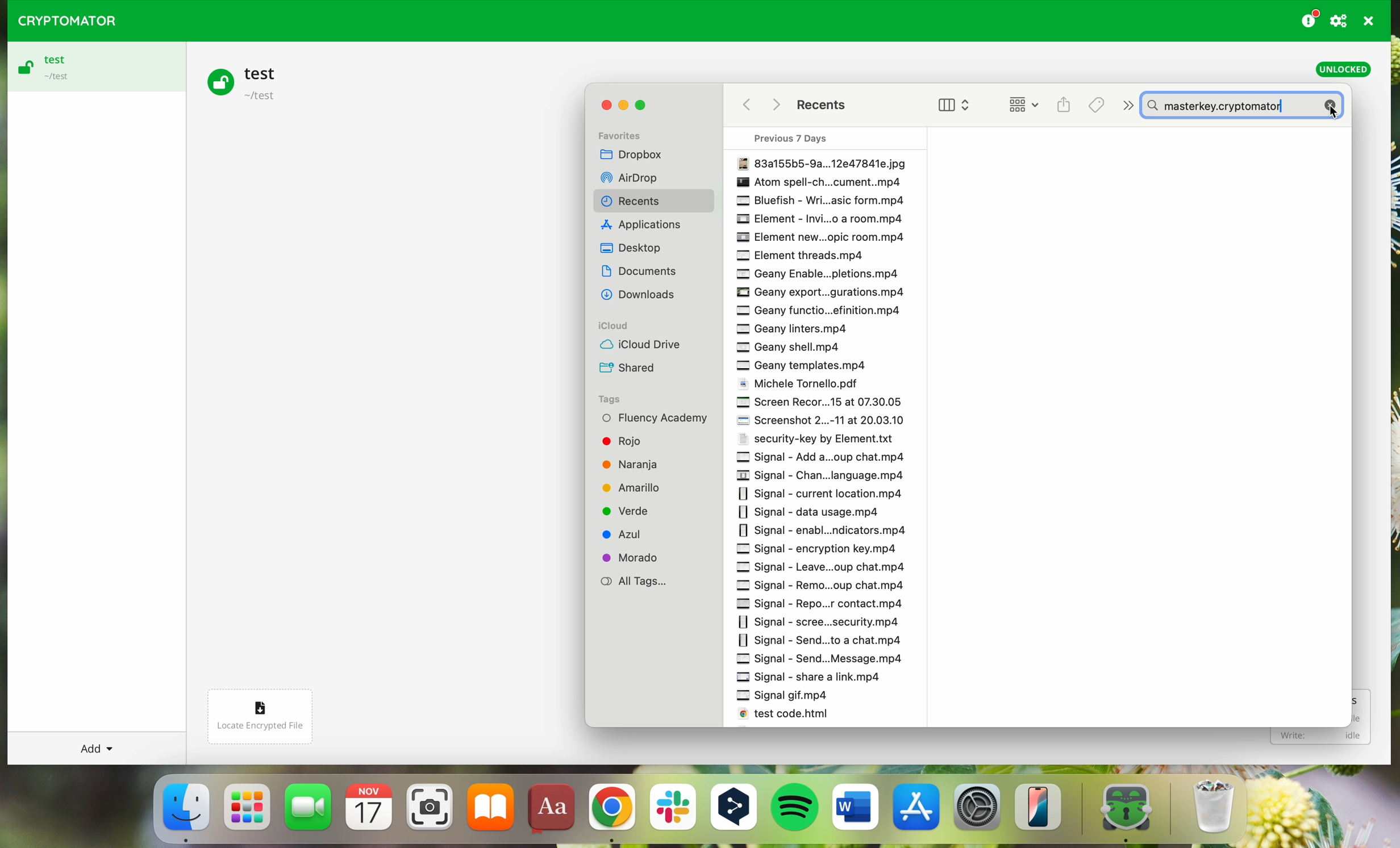 The width and height of the screenshot is (1400, 848). Describe the element at coordinates (814, 511) in the screenshot. I see `signal data usage` at that location.